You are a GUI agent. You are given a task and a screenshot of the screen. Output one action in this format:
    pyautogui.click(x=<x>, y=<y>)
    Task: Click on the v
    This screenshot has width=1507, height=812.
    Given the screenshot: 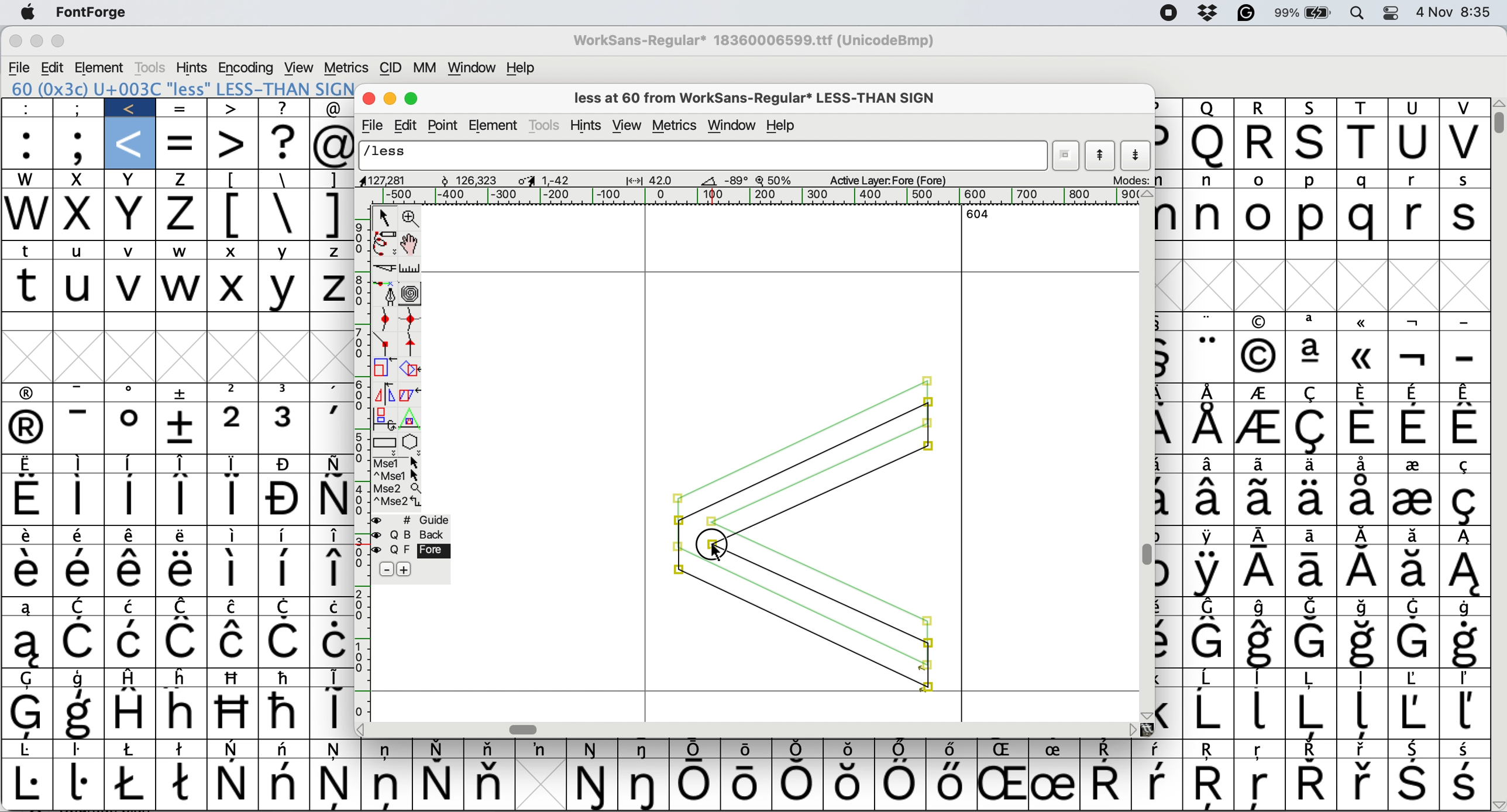 What is the action you would take?
    pyautogui.click(x=1462, y=143)
    